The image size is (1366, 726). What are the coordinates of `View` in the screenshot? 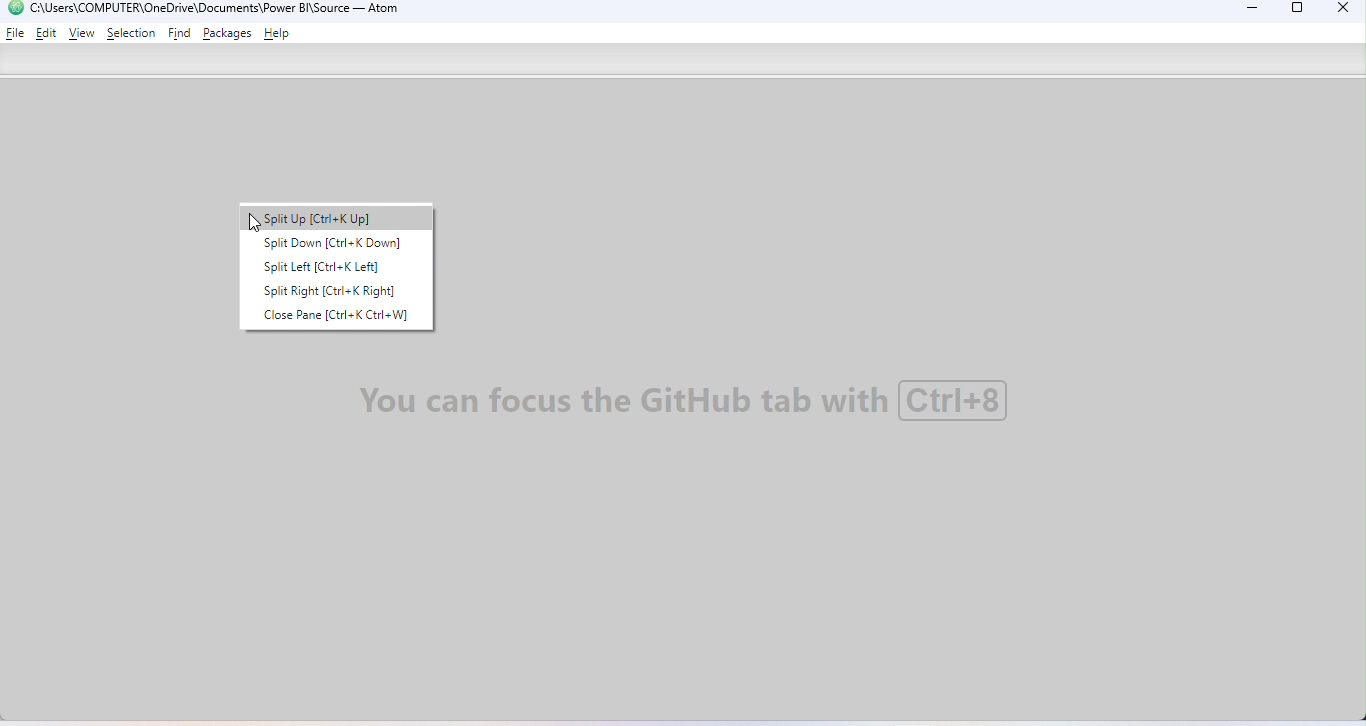 It's located at (82, 34).